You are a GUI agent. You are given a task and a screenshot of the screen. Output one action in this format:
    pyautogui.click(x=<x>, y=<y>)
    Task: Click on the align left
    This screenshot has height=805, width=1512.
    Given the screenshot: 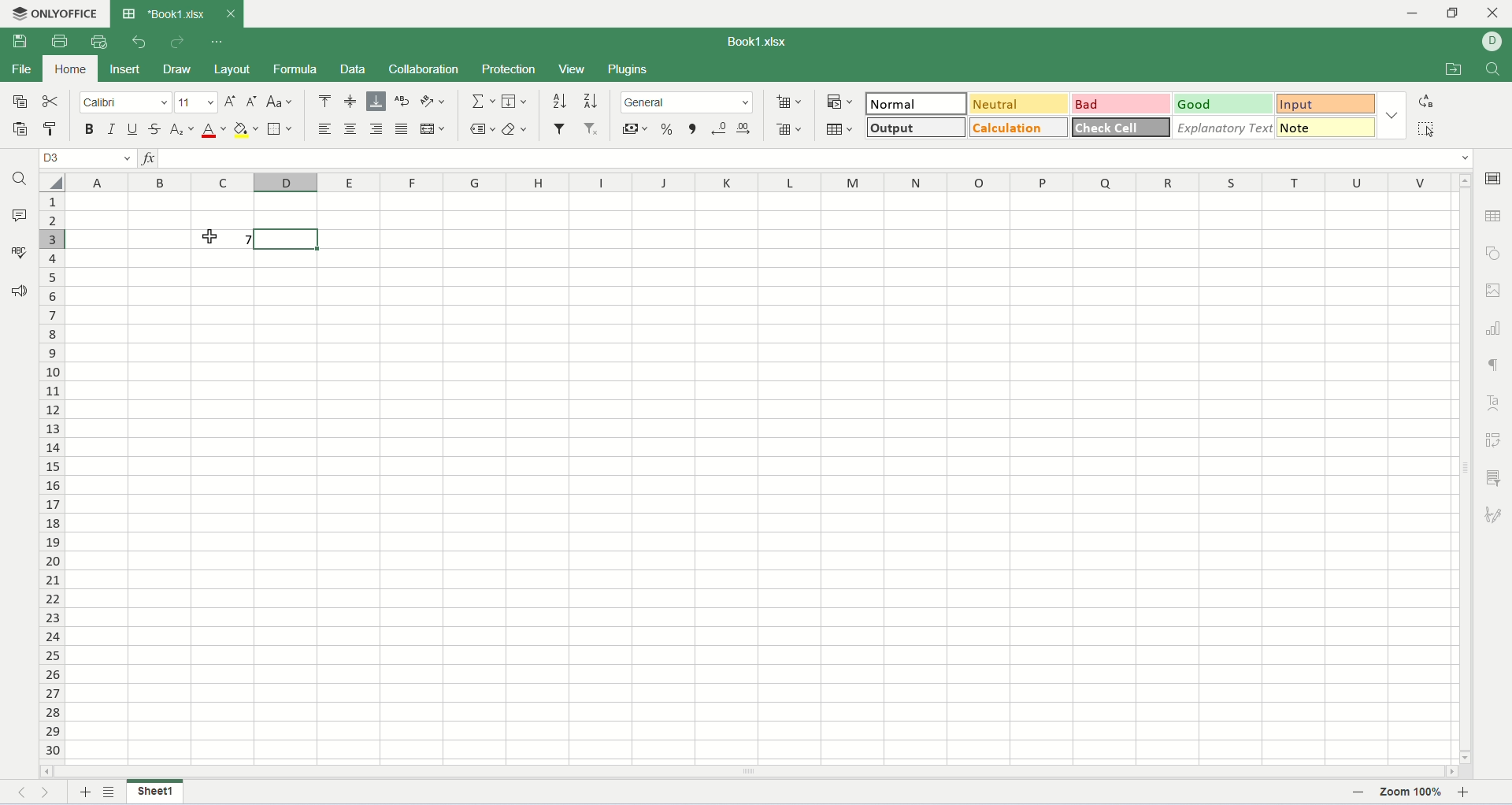 What is the action you would take?
    pyautogui.click(x=324, y=128)
    